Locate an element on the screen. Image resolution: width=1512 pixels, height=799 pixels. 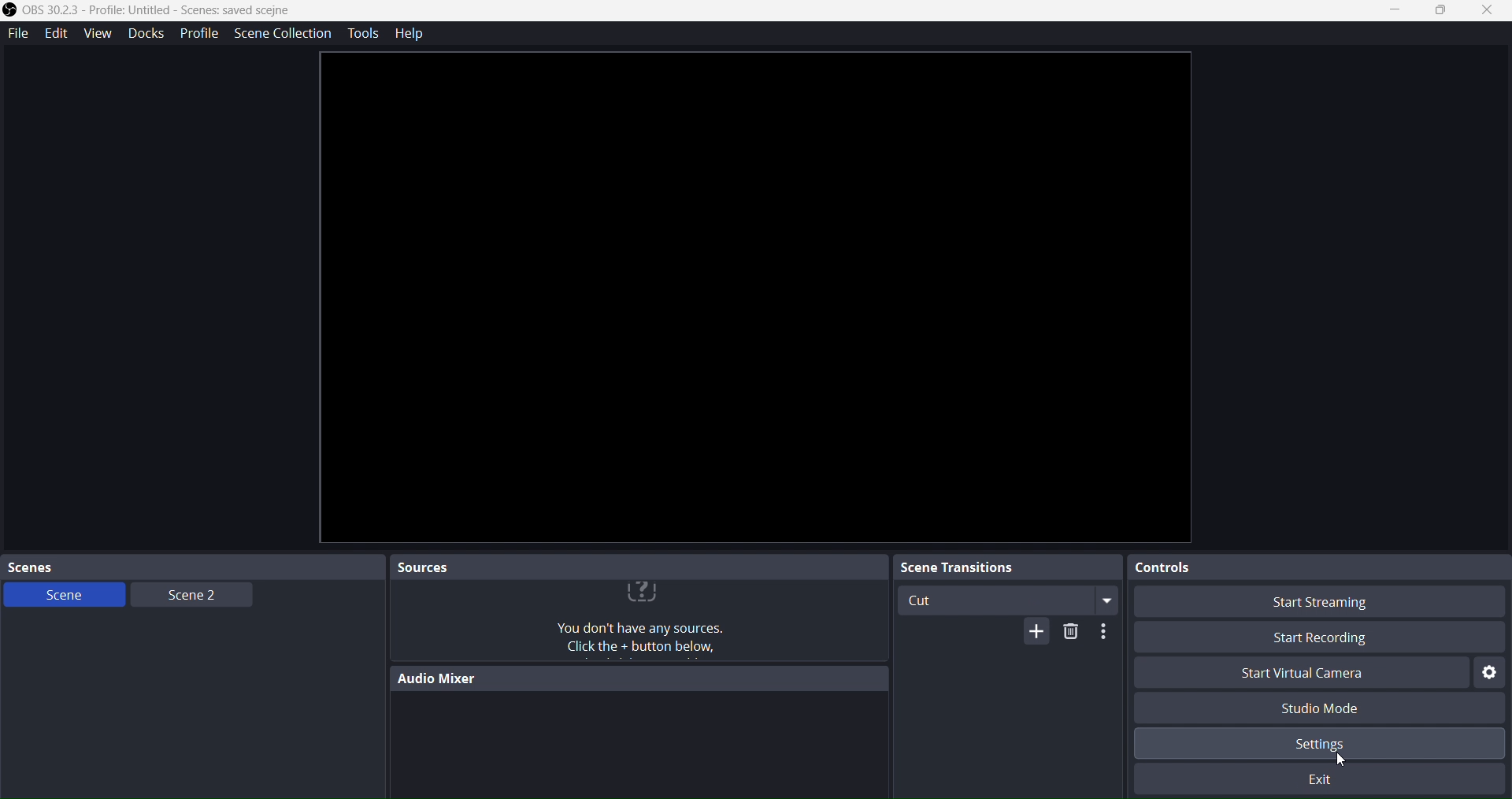
Start Recording is located at coordinates (1315, 637).